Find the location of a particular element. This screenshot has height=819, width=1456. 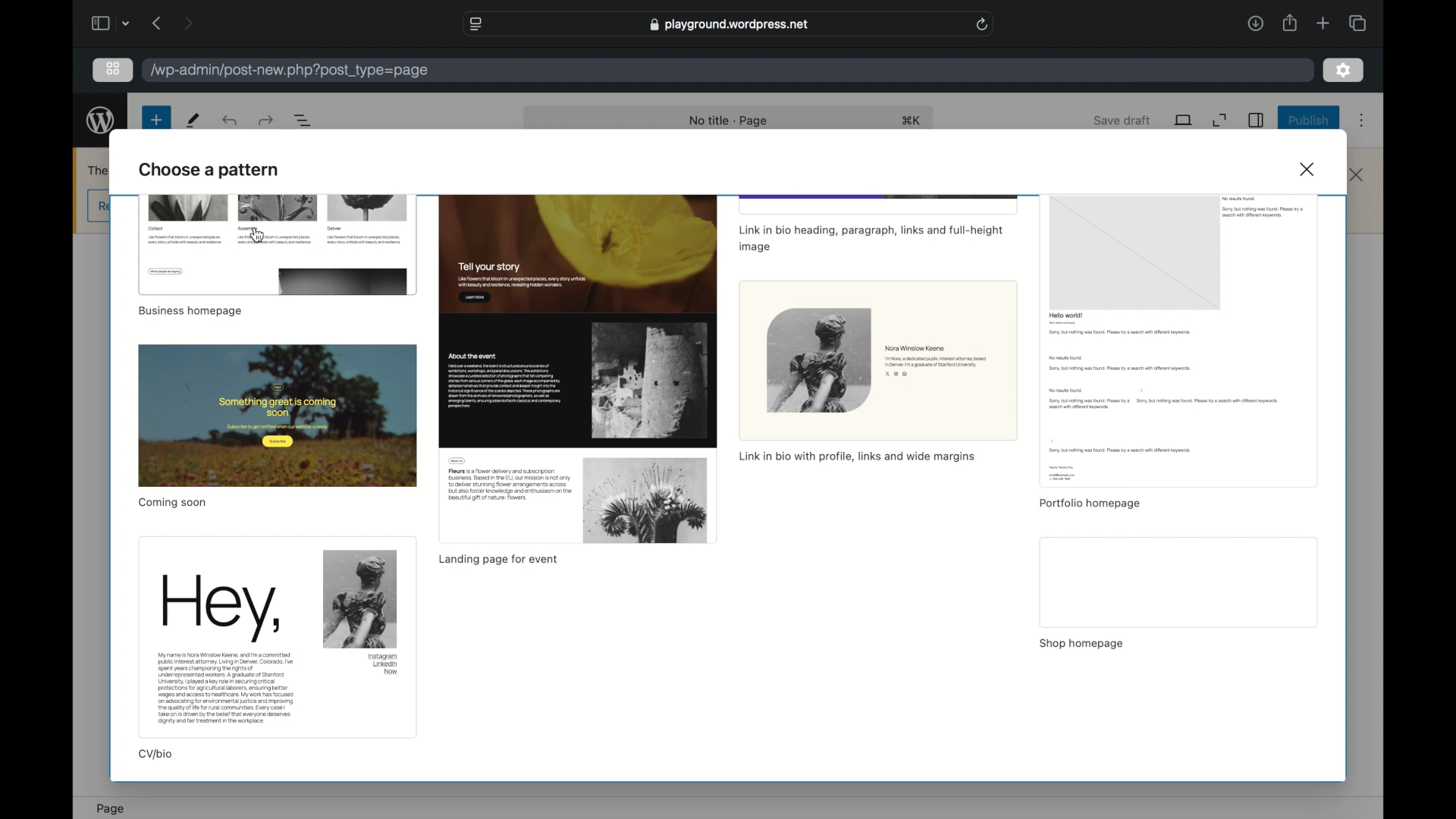

wordpress address is located at coordinates (290, 71).